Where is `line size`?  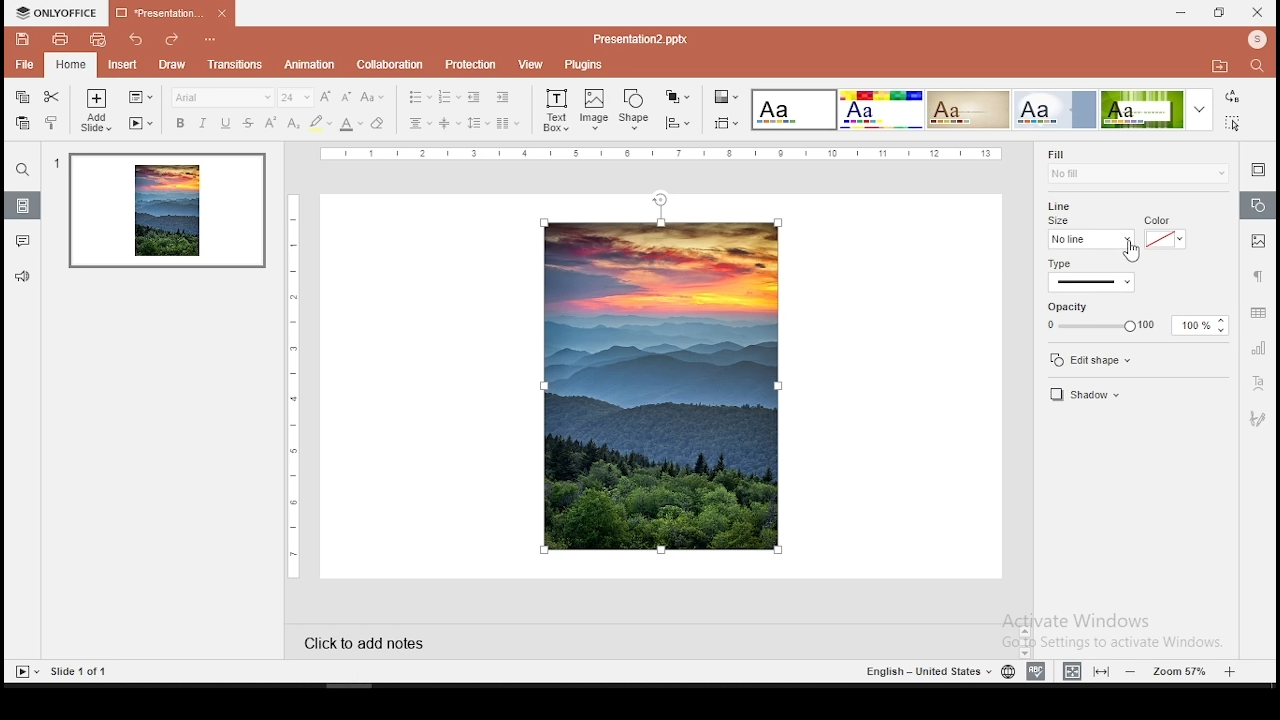 line size is located at coordinates (1091, 233).